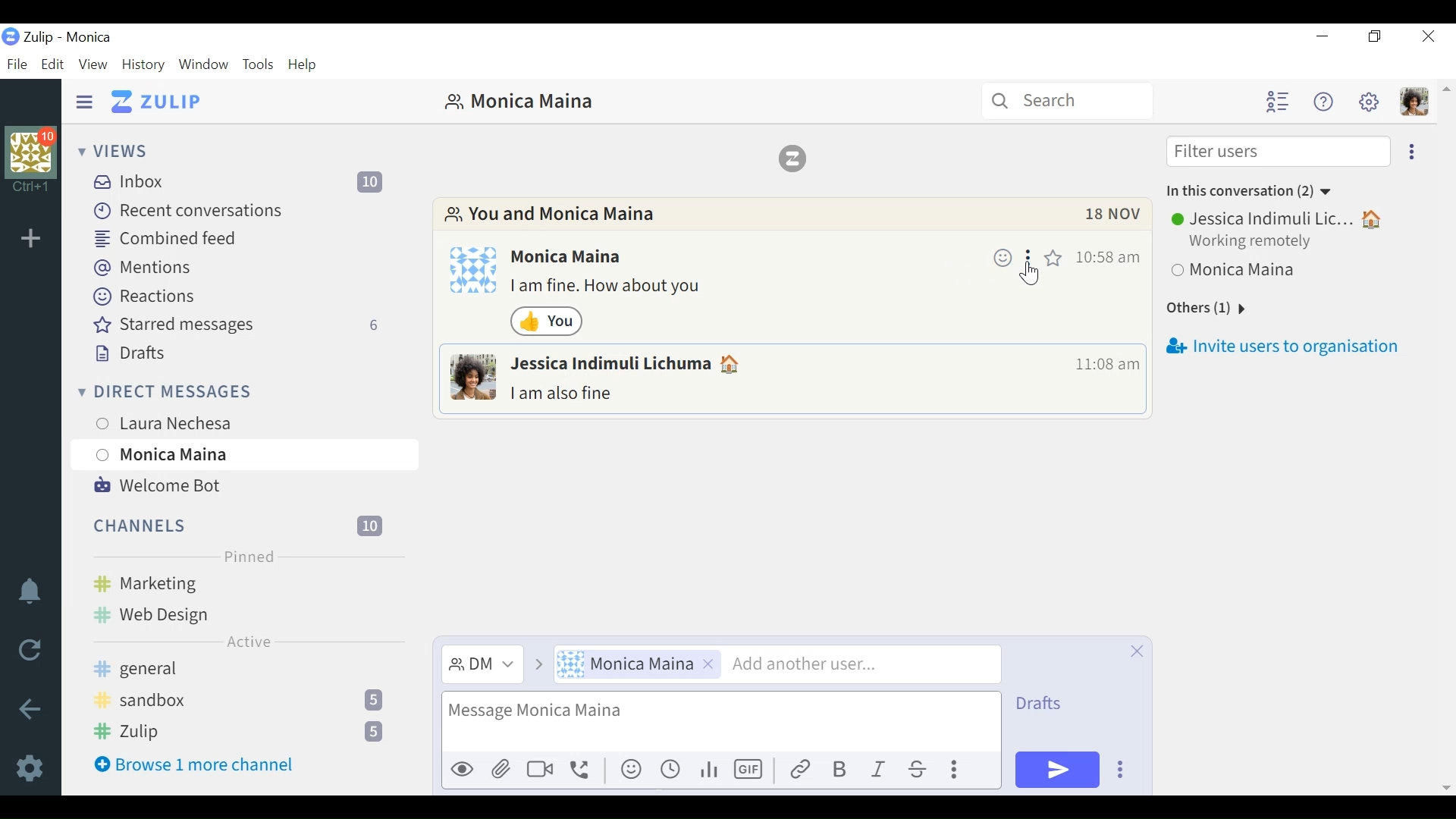 This screenshot has width=1456, height=819. I want to click on go to, so click(538, 667).